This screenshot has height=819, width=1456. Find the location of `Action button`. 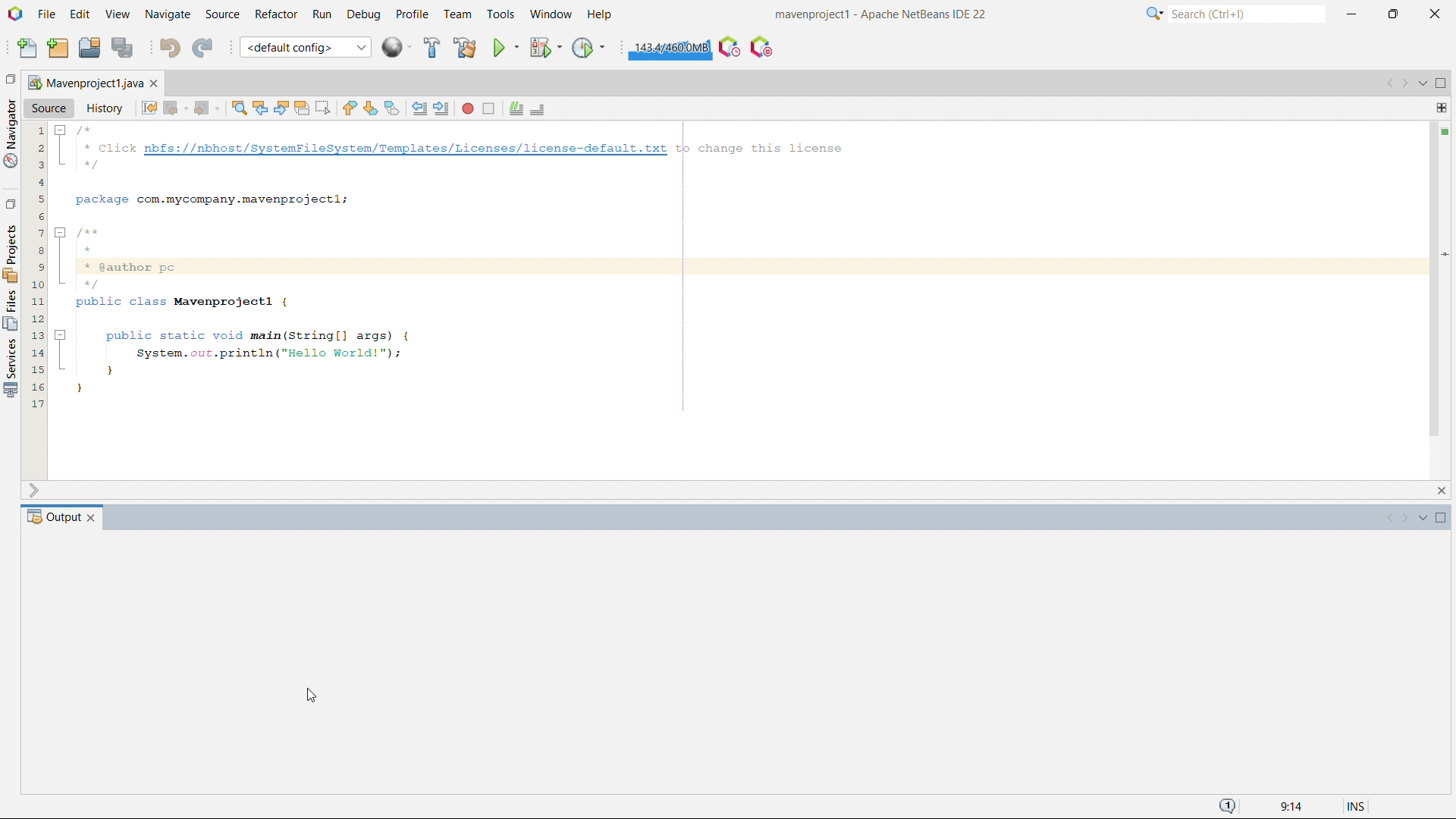

Action button is located at coordinates (1441, 130).